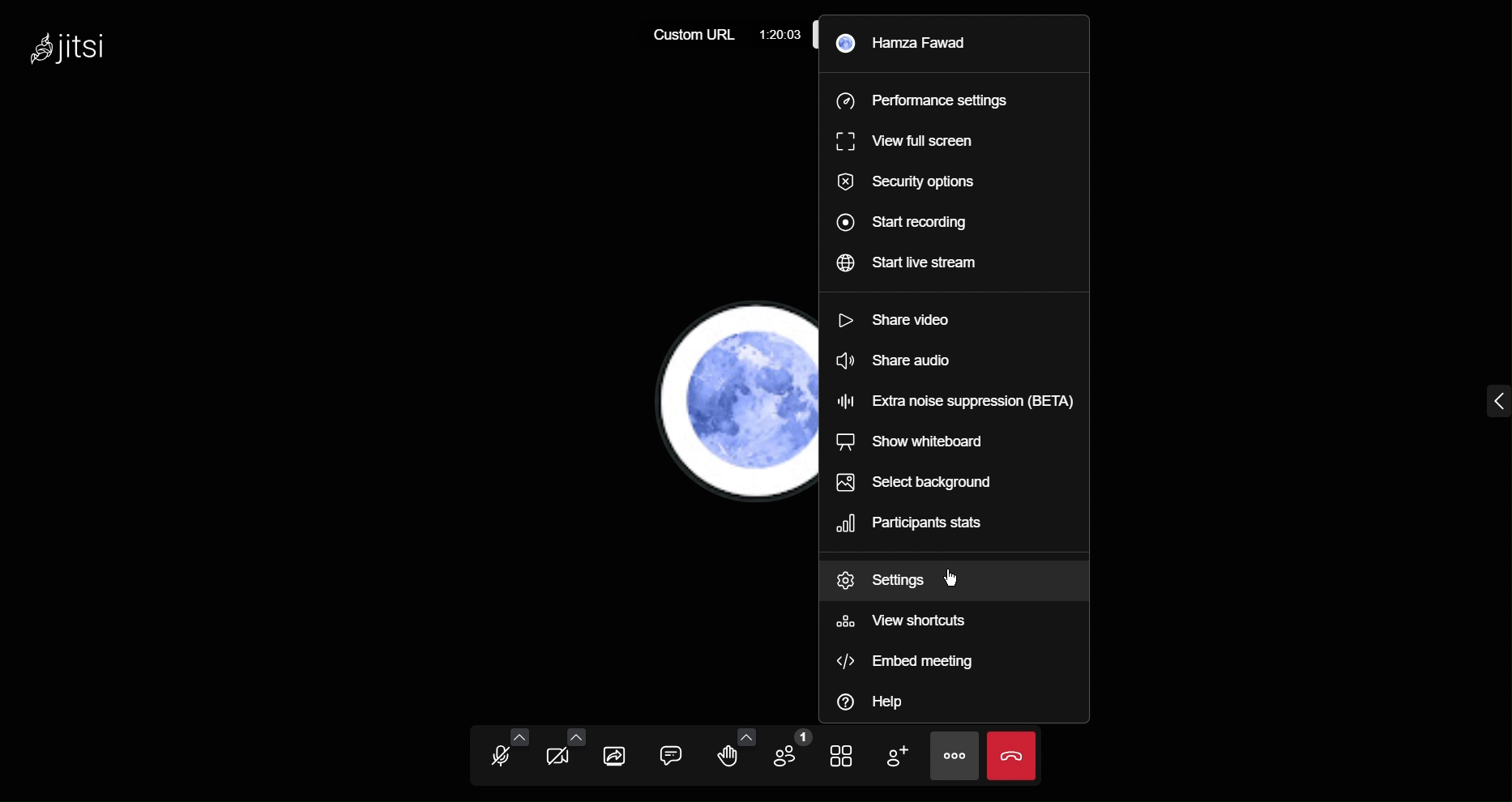 This screenshot has height=802, width=1512. I want to click on Raise Hand, so click(734, 753).